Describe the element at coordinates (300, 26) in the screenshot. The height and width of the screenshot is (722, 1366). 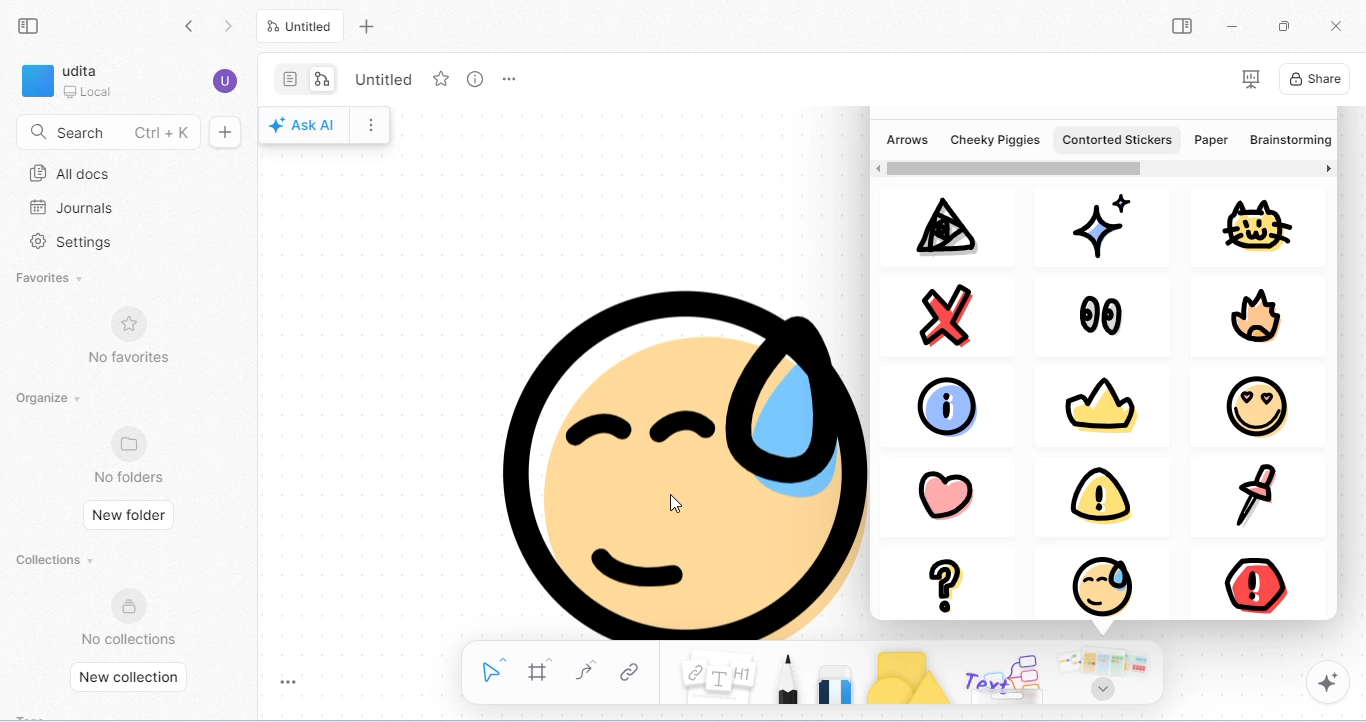
I see `current tab` at that location.